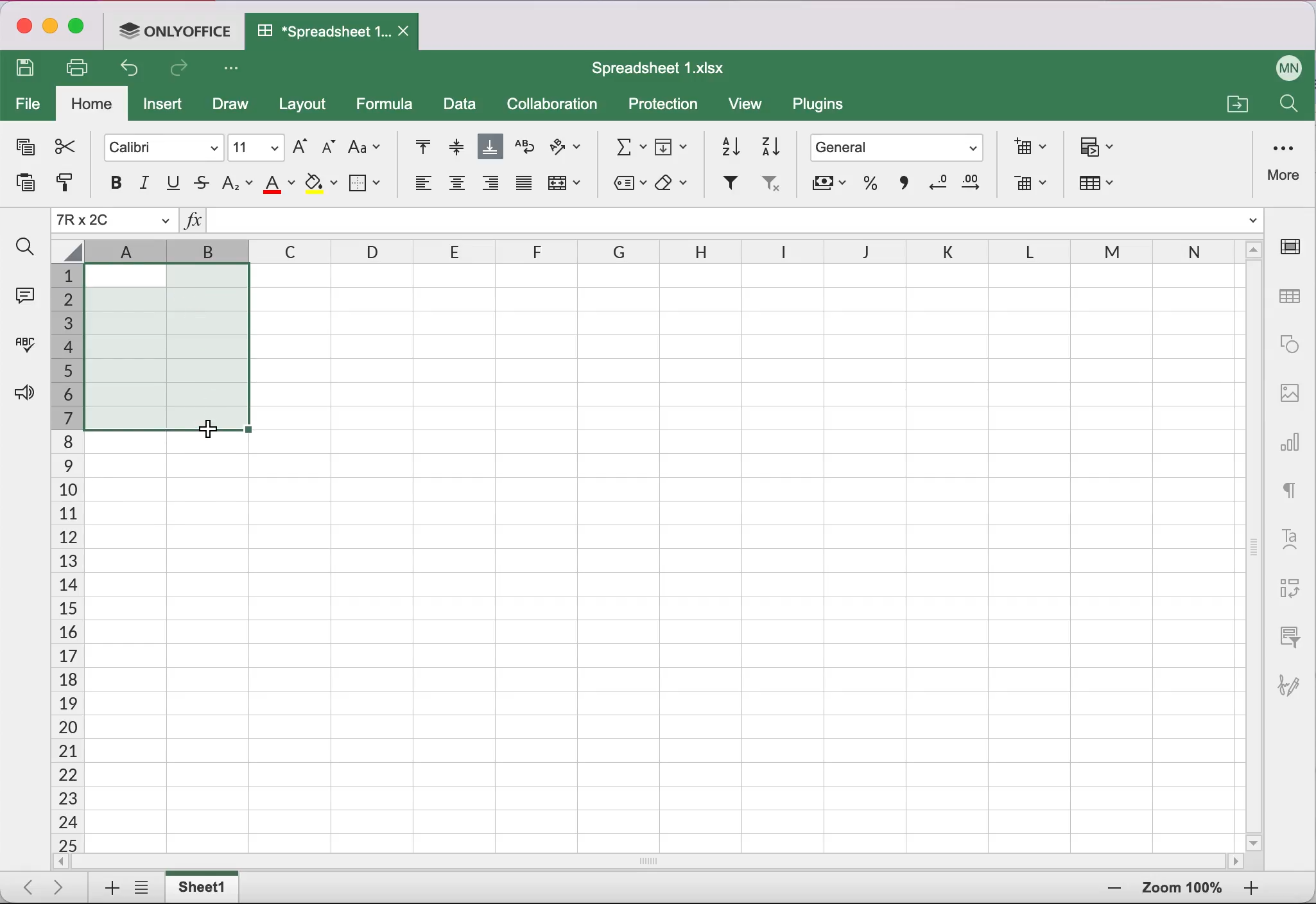 The image size is (1316, 904). Describe the element at coordinates (81, 29) in the screenshot. I see `maximize` at that location.